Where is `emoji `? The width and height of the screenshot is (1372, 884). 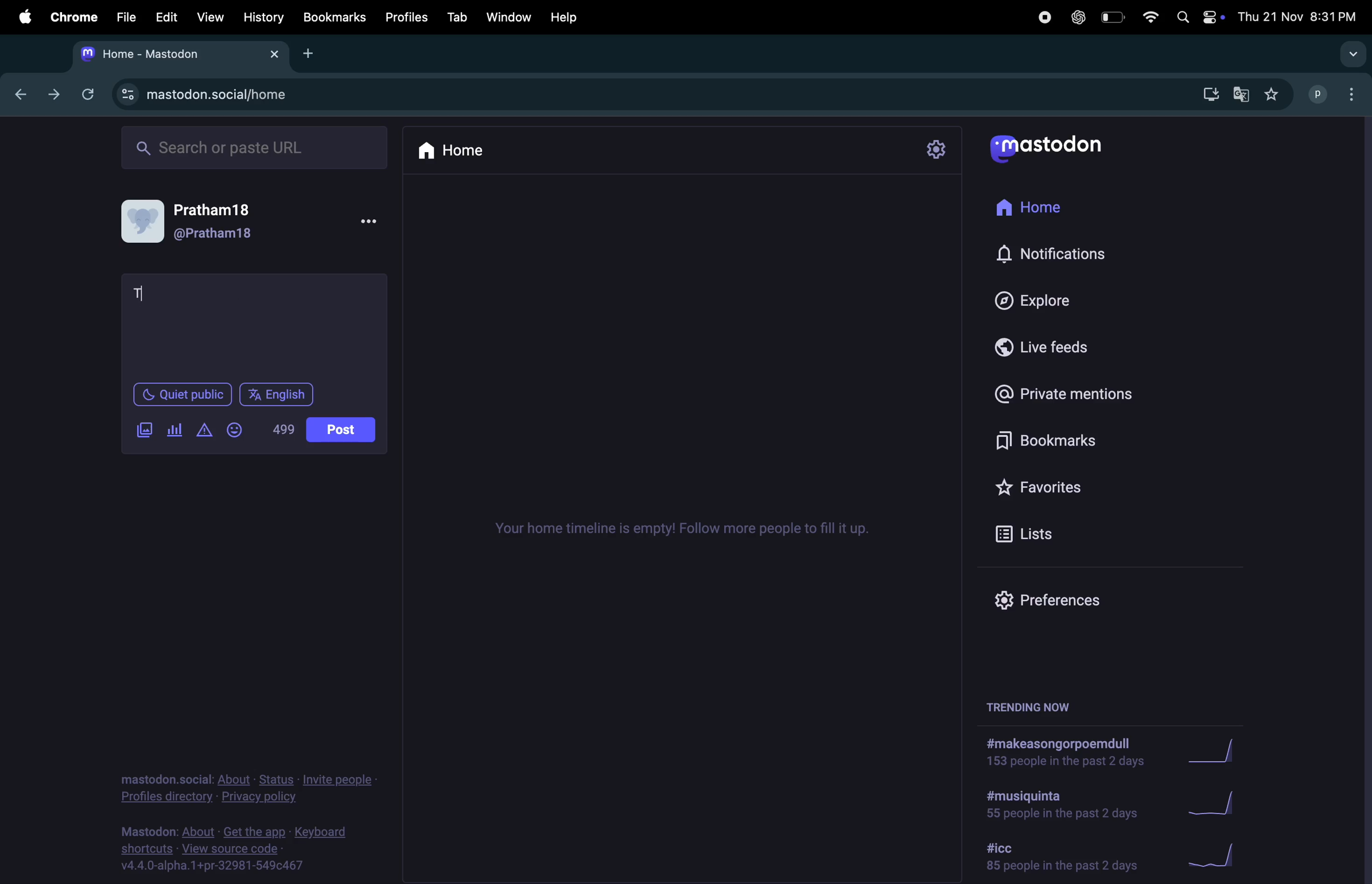 emoji  is located at coordinates (237, 429).